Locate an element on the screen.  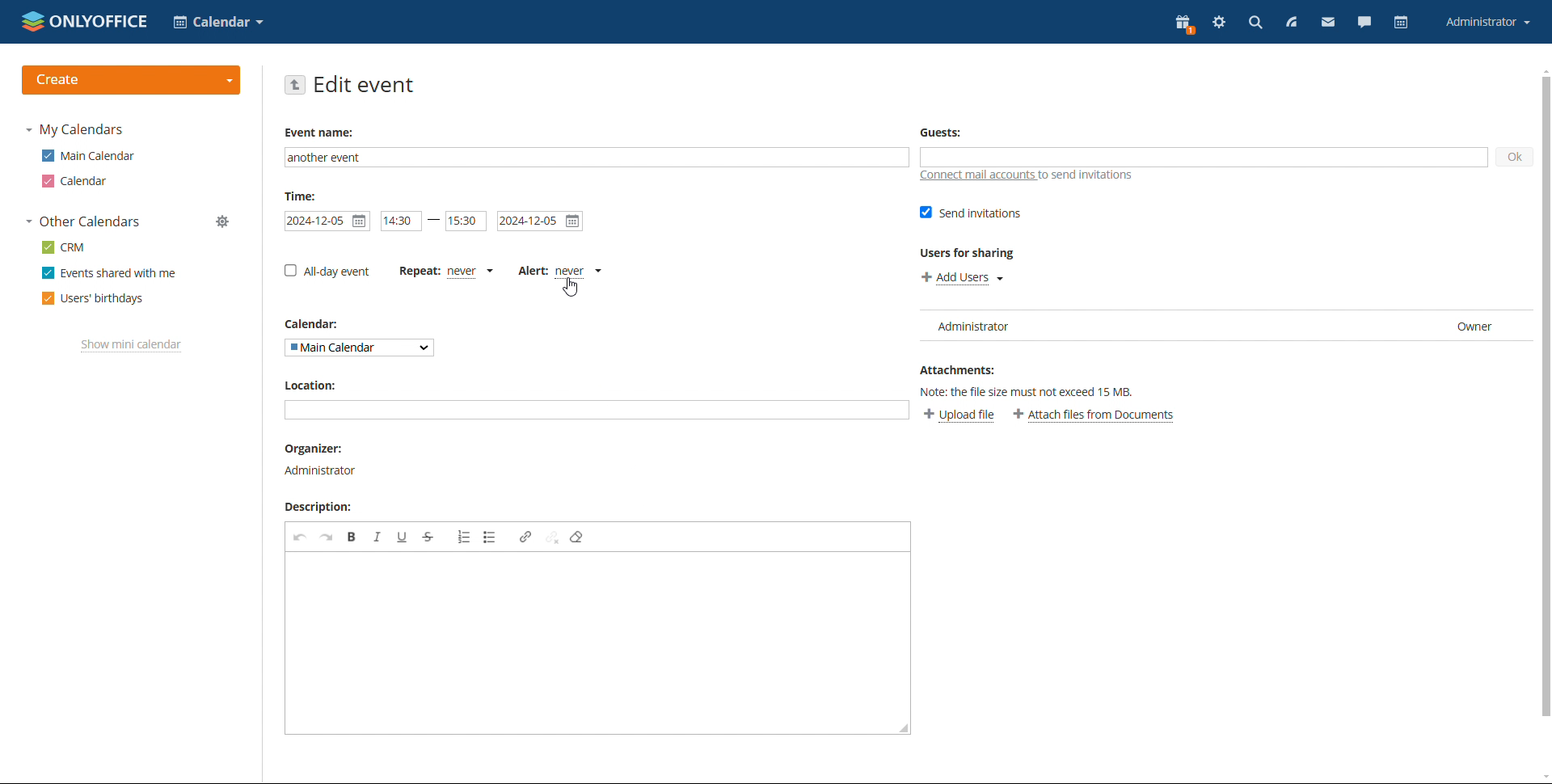
create is located at coordinates (132, 80).